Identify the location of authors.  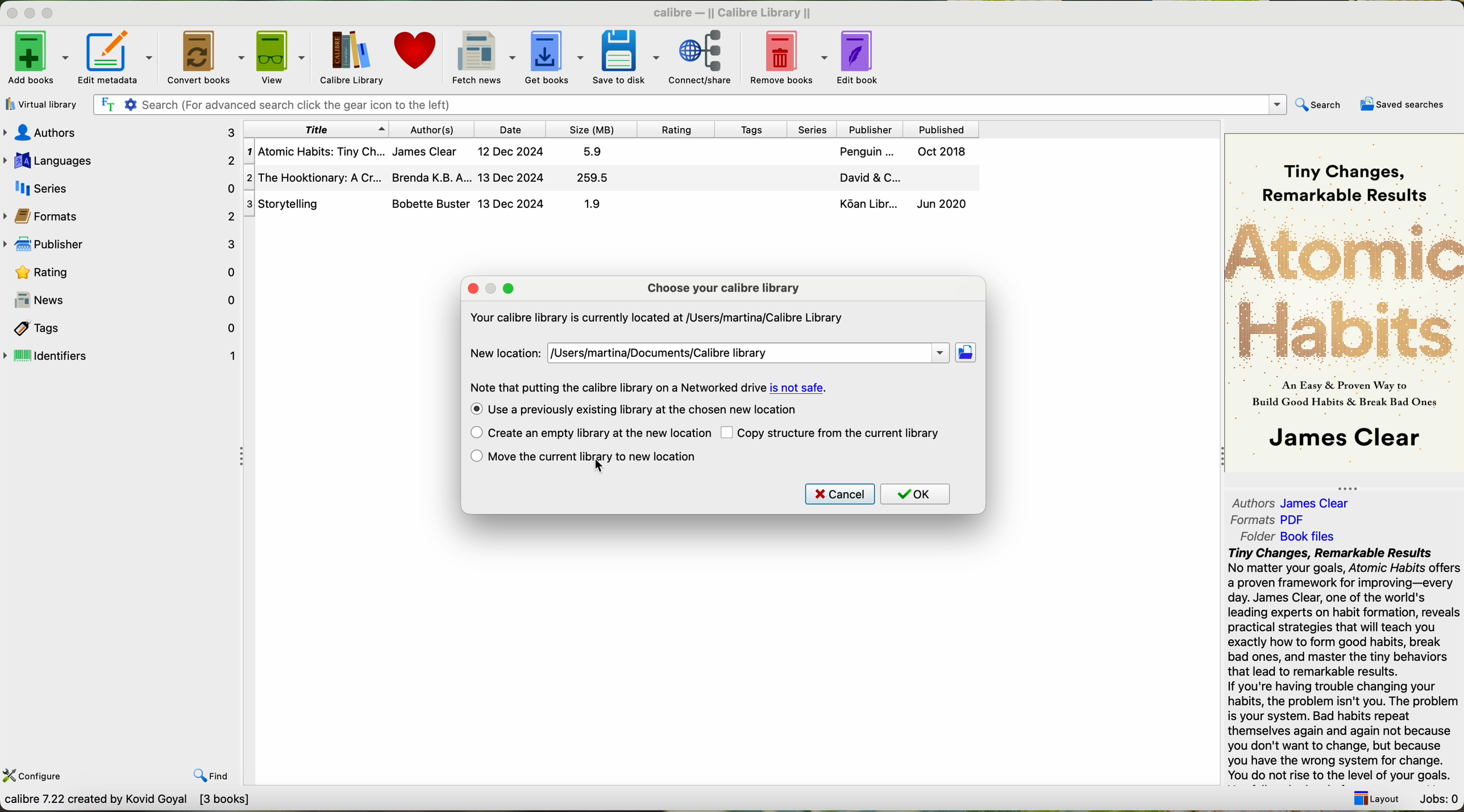
(1249, 501).